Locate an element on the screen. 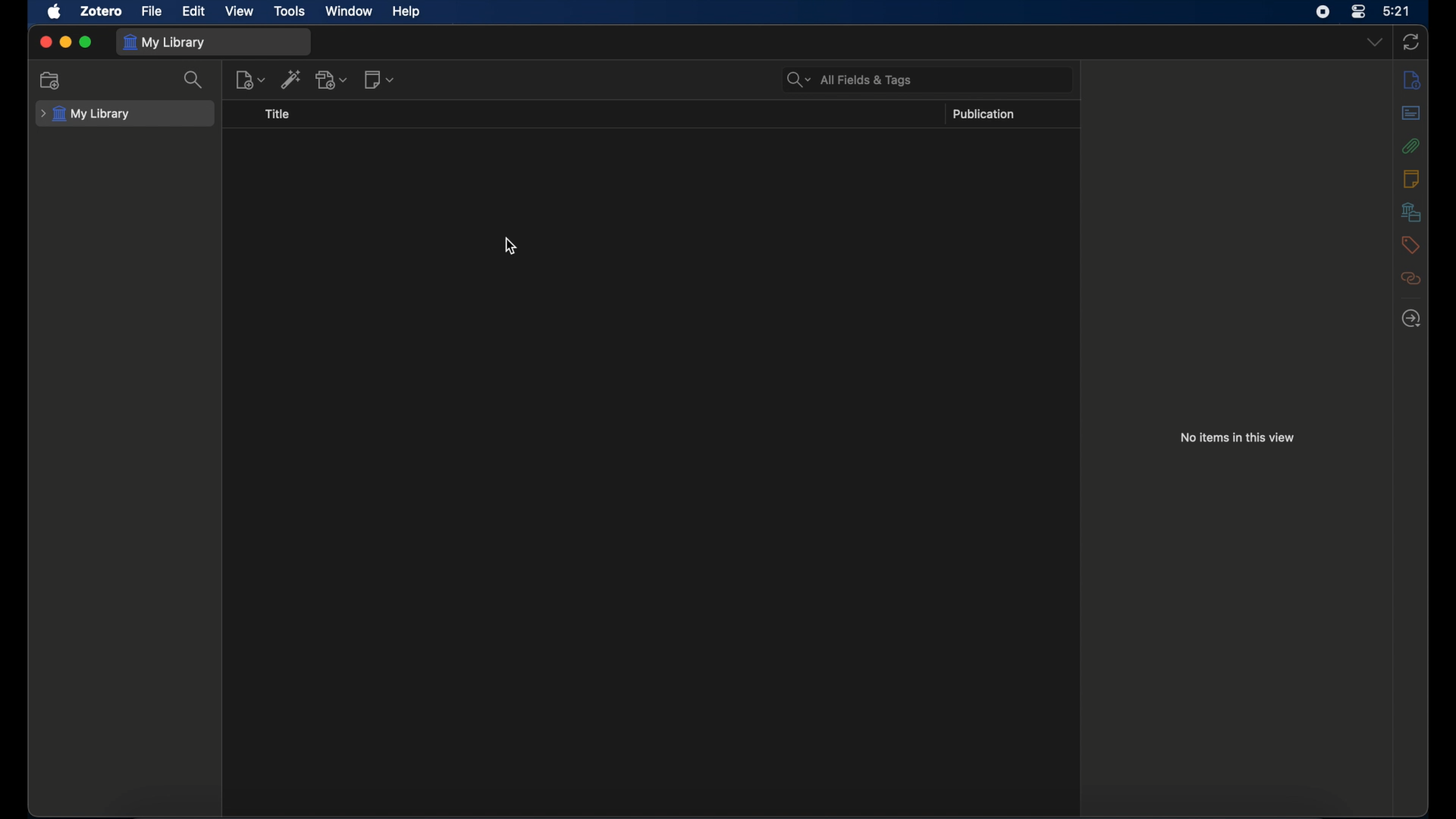 This screenshot has width=1456, height=819. tags is located at coordinates (1410, 244).